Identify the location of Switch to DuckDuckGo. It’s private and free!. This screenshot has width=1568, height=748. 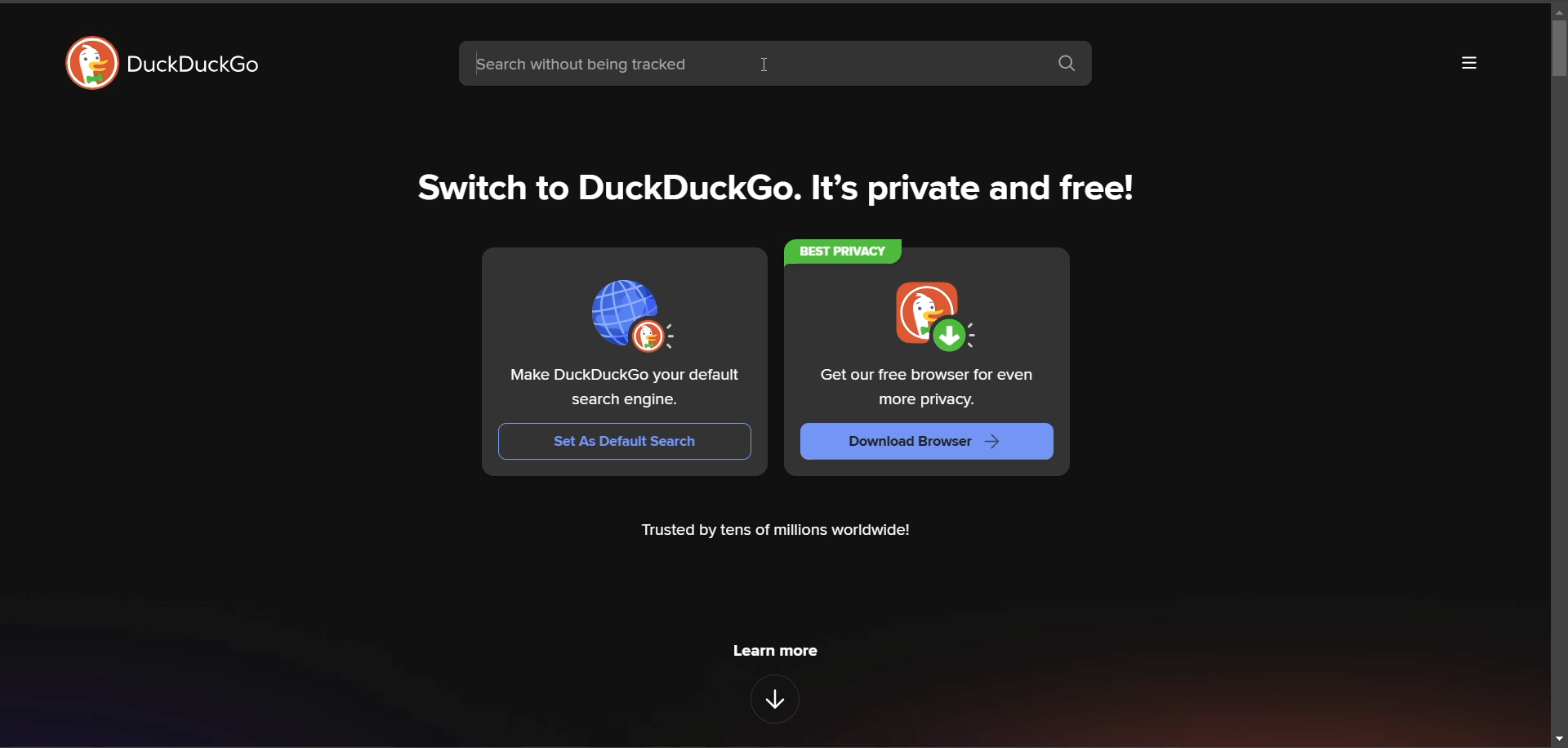
(773, 183).